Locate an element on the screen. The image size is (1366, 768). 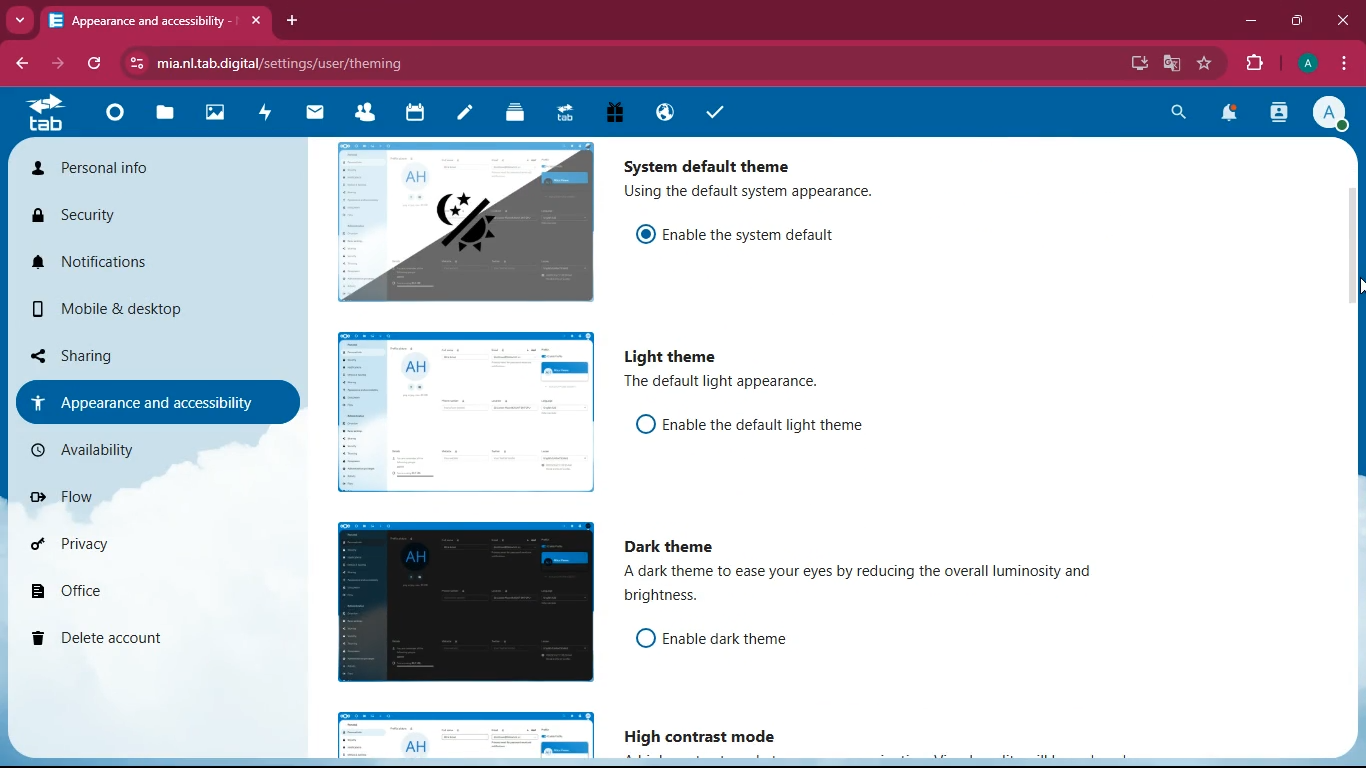
personal info is located at coordinates (124, 172).